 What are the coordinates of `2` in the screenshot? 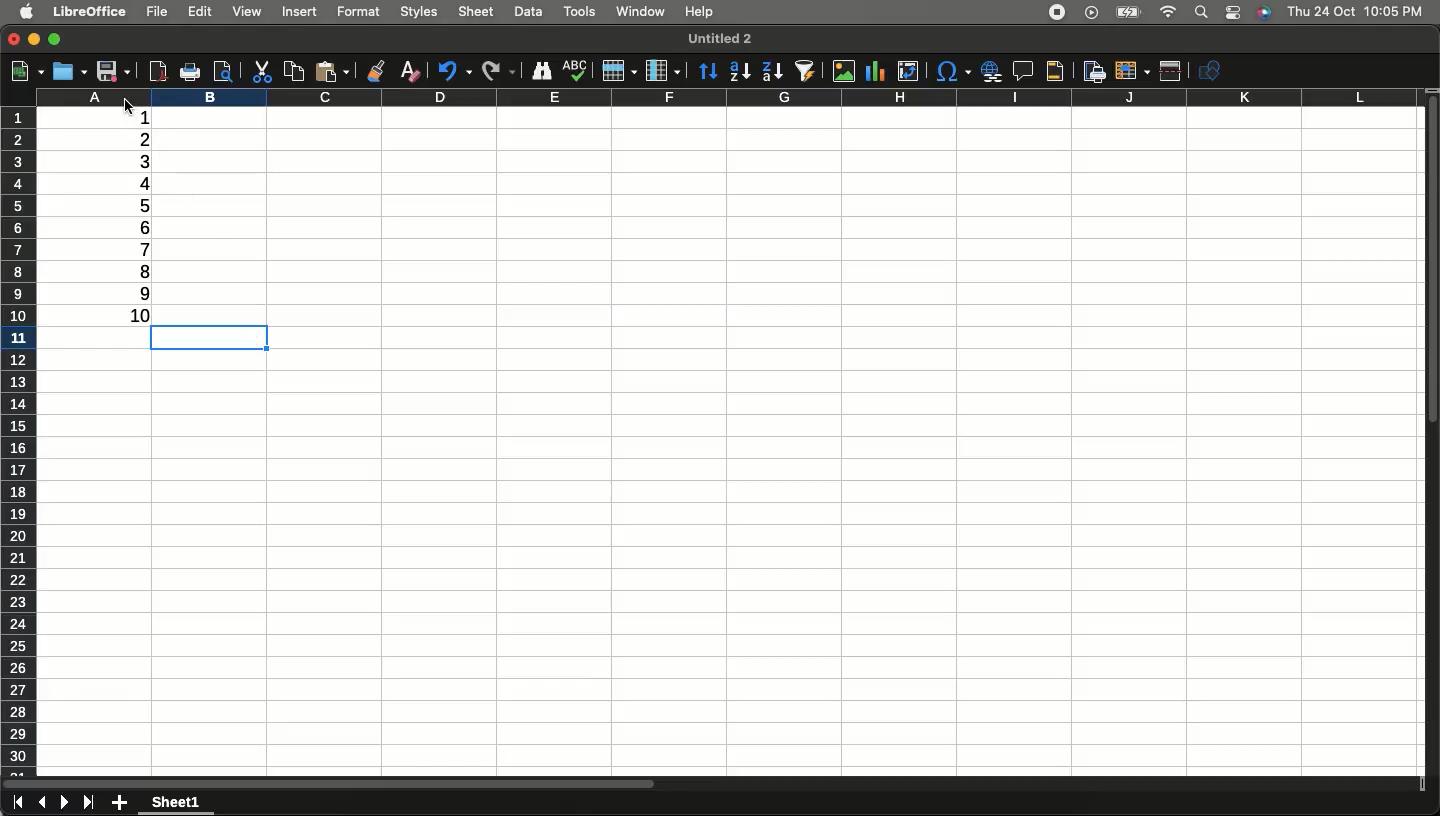 It's located at (143, 139).